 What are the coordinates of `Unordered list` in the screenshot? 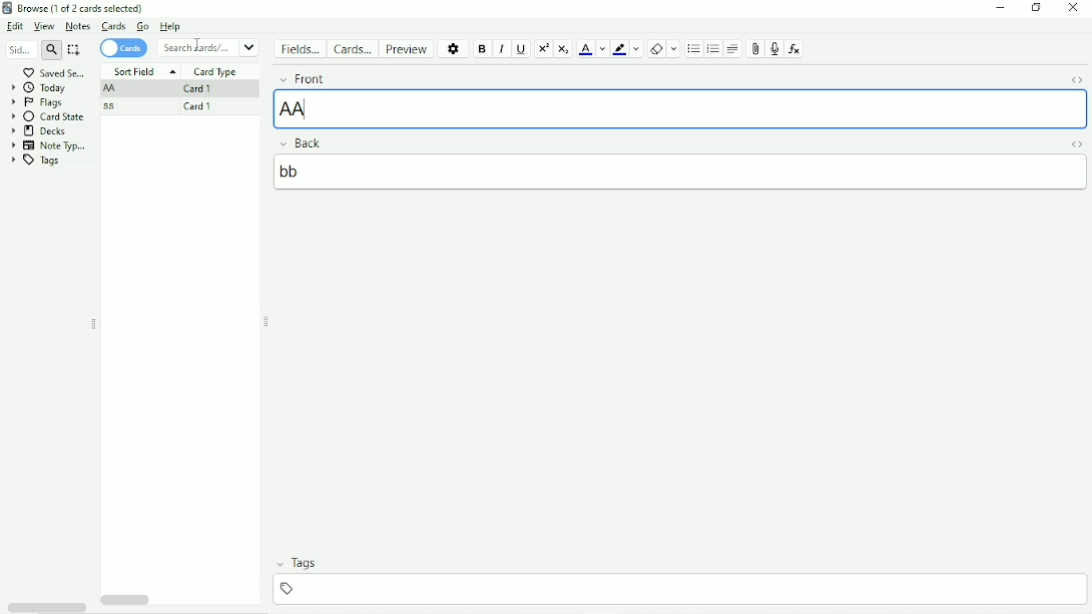 It's located at (692, 49).